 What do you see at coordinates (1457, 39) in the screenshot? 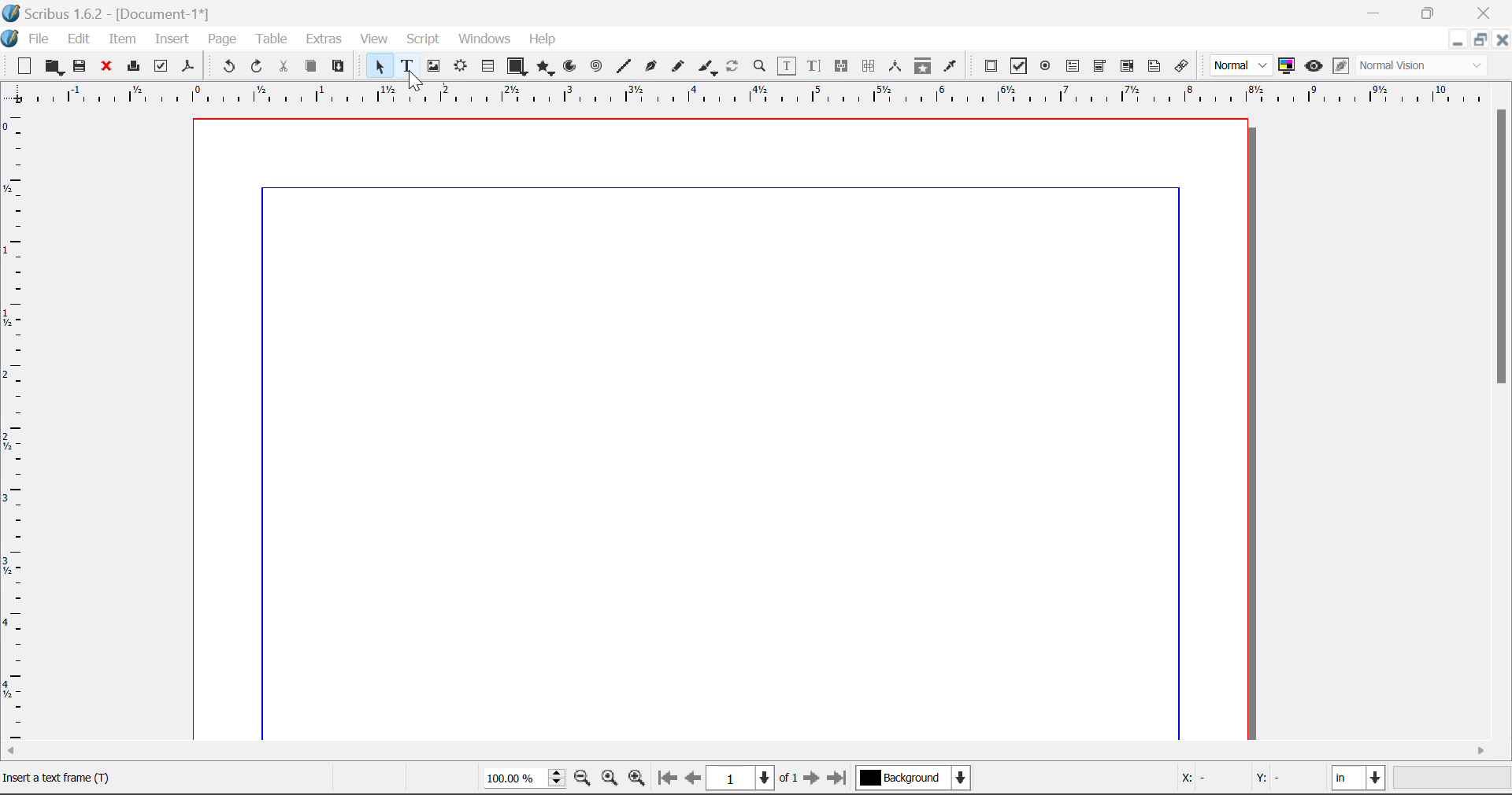
I see `Restore Down` at bounding box center [1457, 39].